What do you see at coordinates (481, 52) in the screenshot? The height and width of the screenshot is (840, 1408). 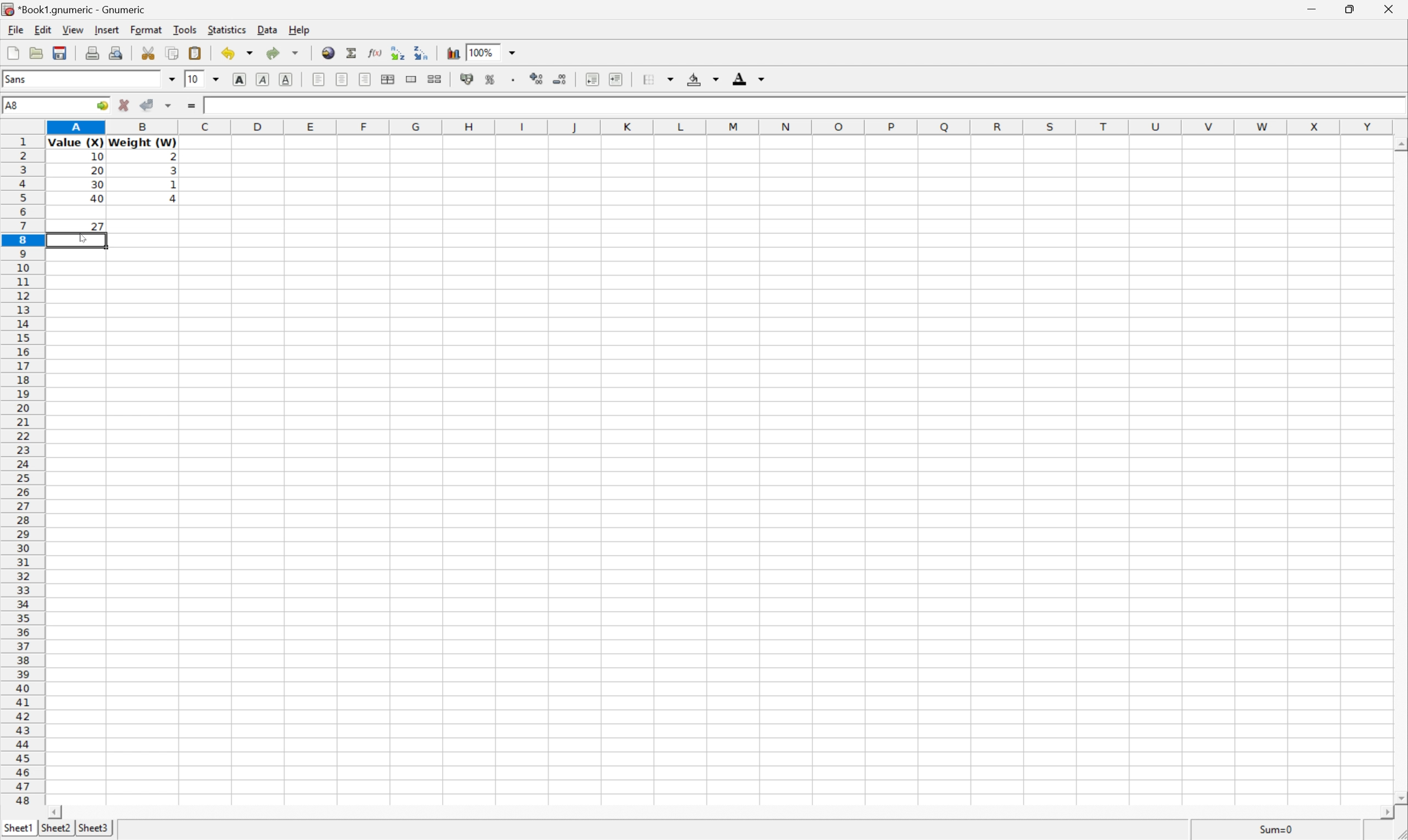 I see `100%` at bounding box center [481, 52].